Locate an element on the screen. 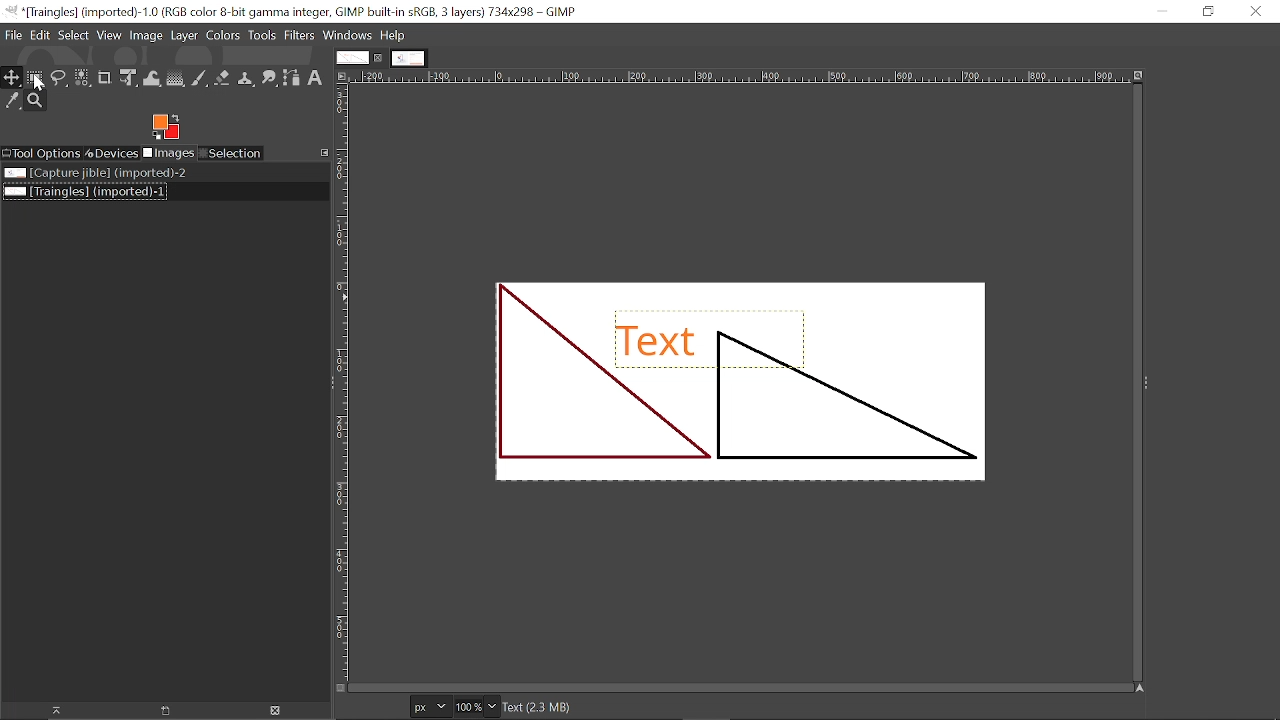  Raise this image display is located at coordinates (54, 710).